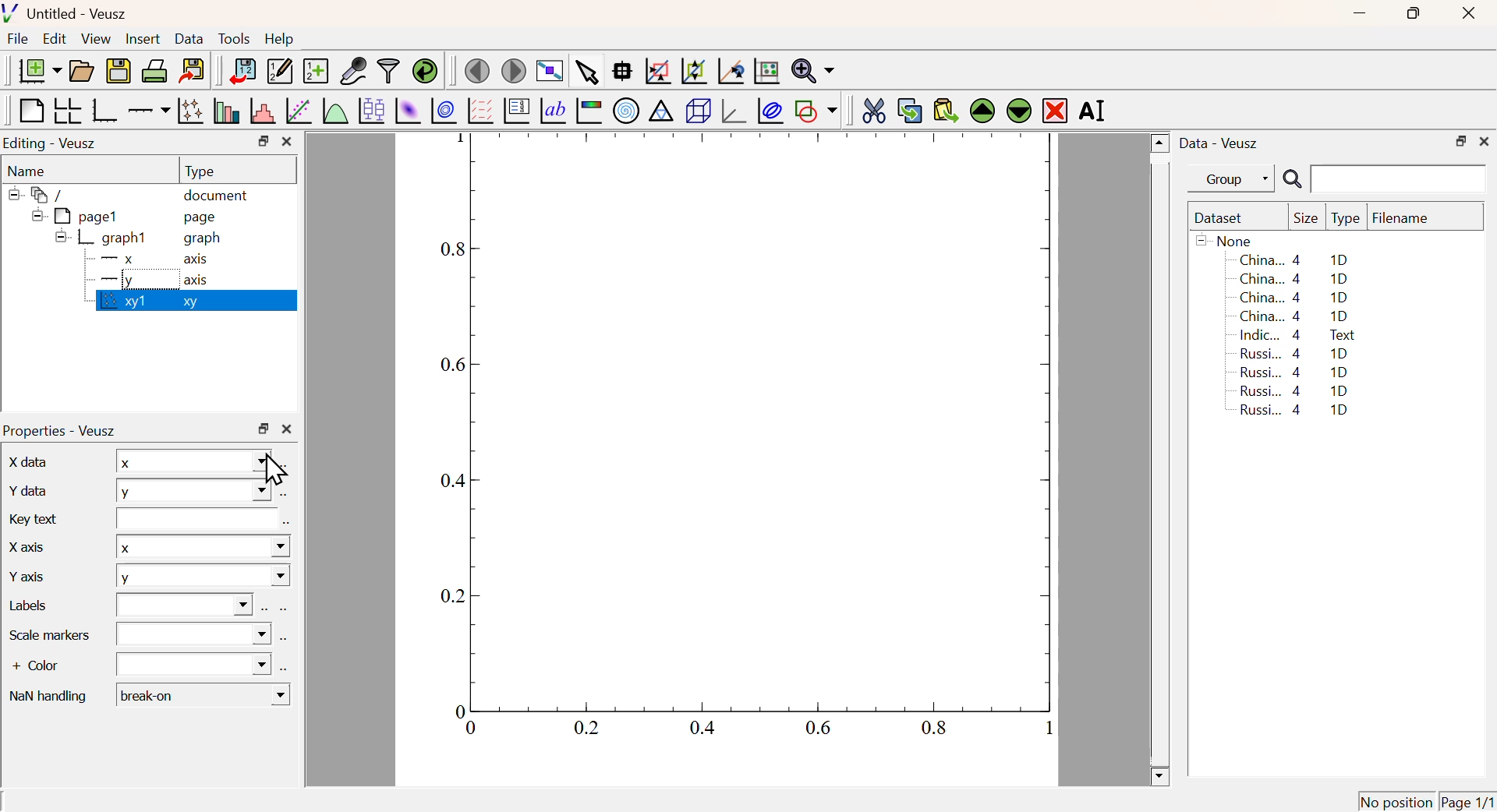  Describe the element at coordinates (1095, 110) in the screenshot. I see `Rename` at that location.